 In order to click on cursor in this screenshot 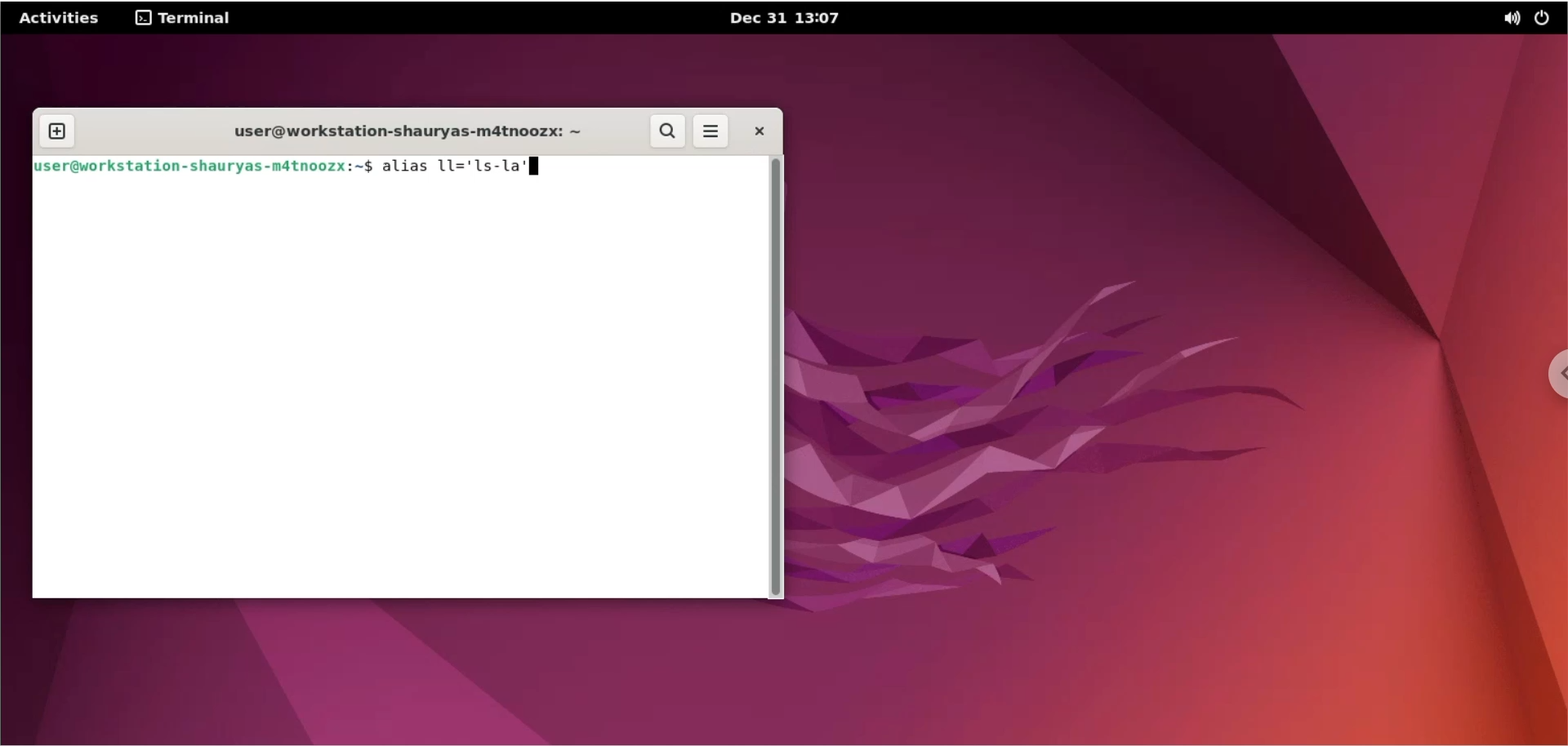, I will do `click(538, 167)`.